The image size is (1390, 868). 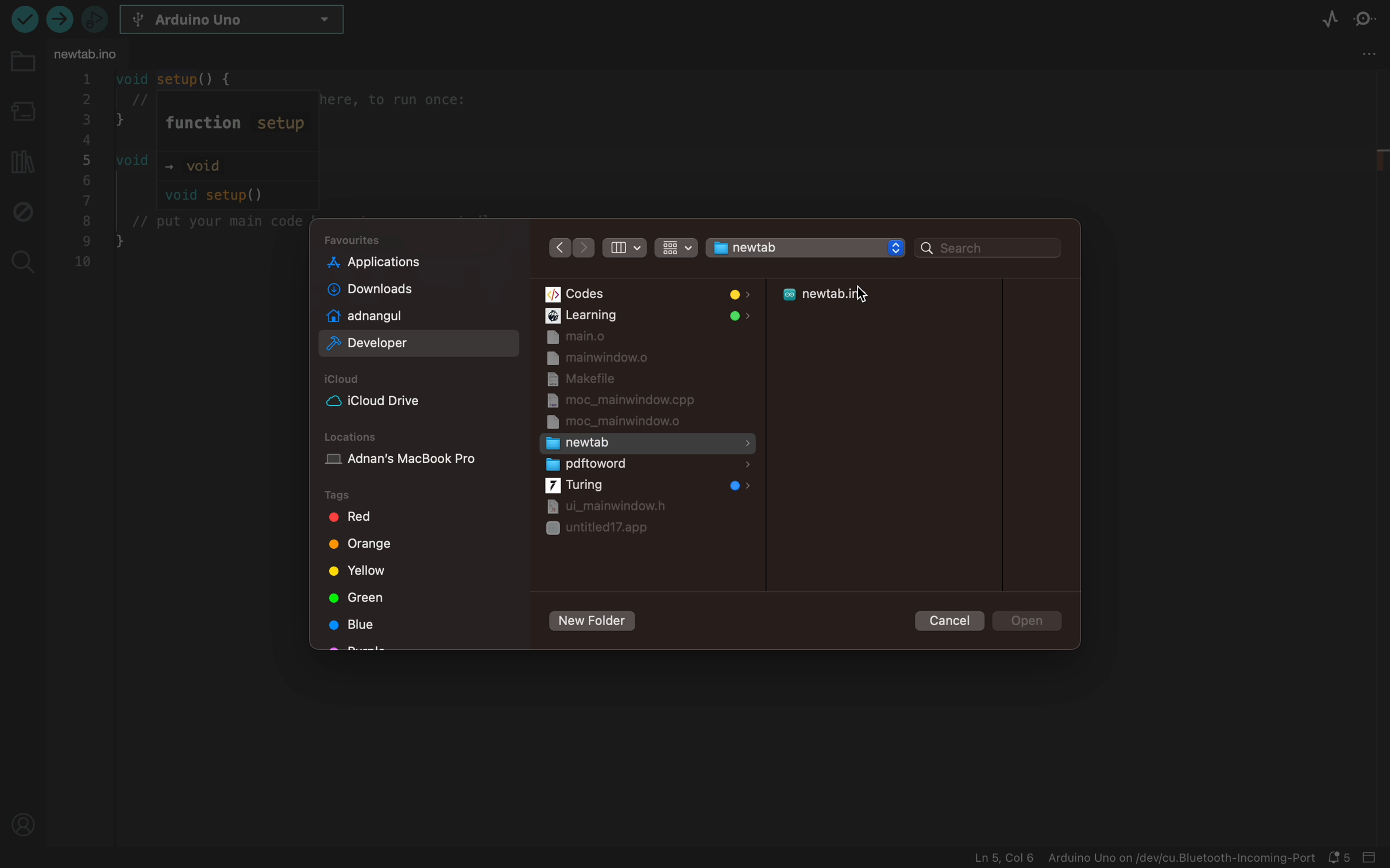 I want to click on code, so click(x=183, y=173).